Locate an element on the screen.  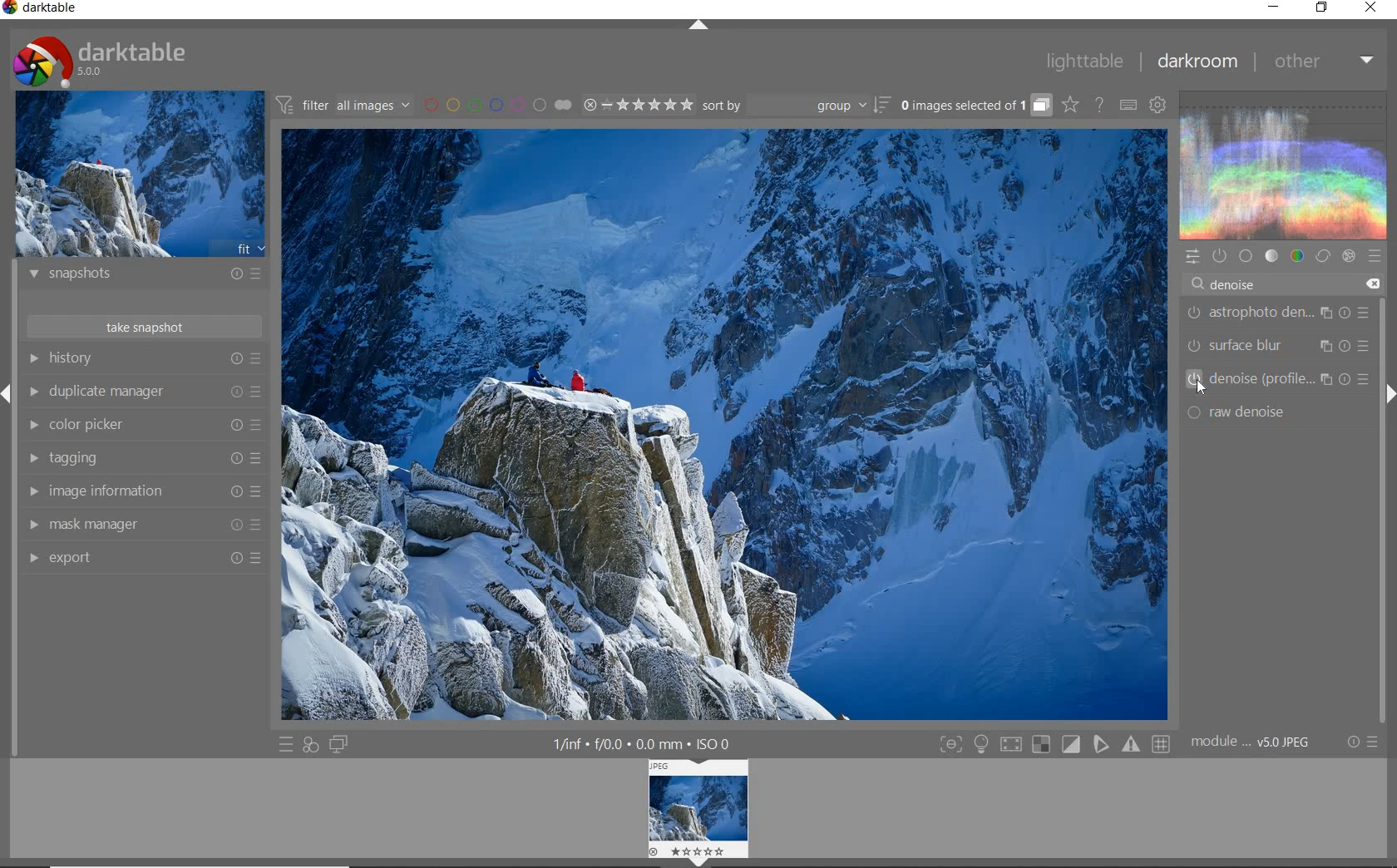
duplicate manager is located at coordinates (143, 392).